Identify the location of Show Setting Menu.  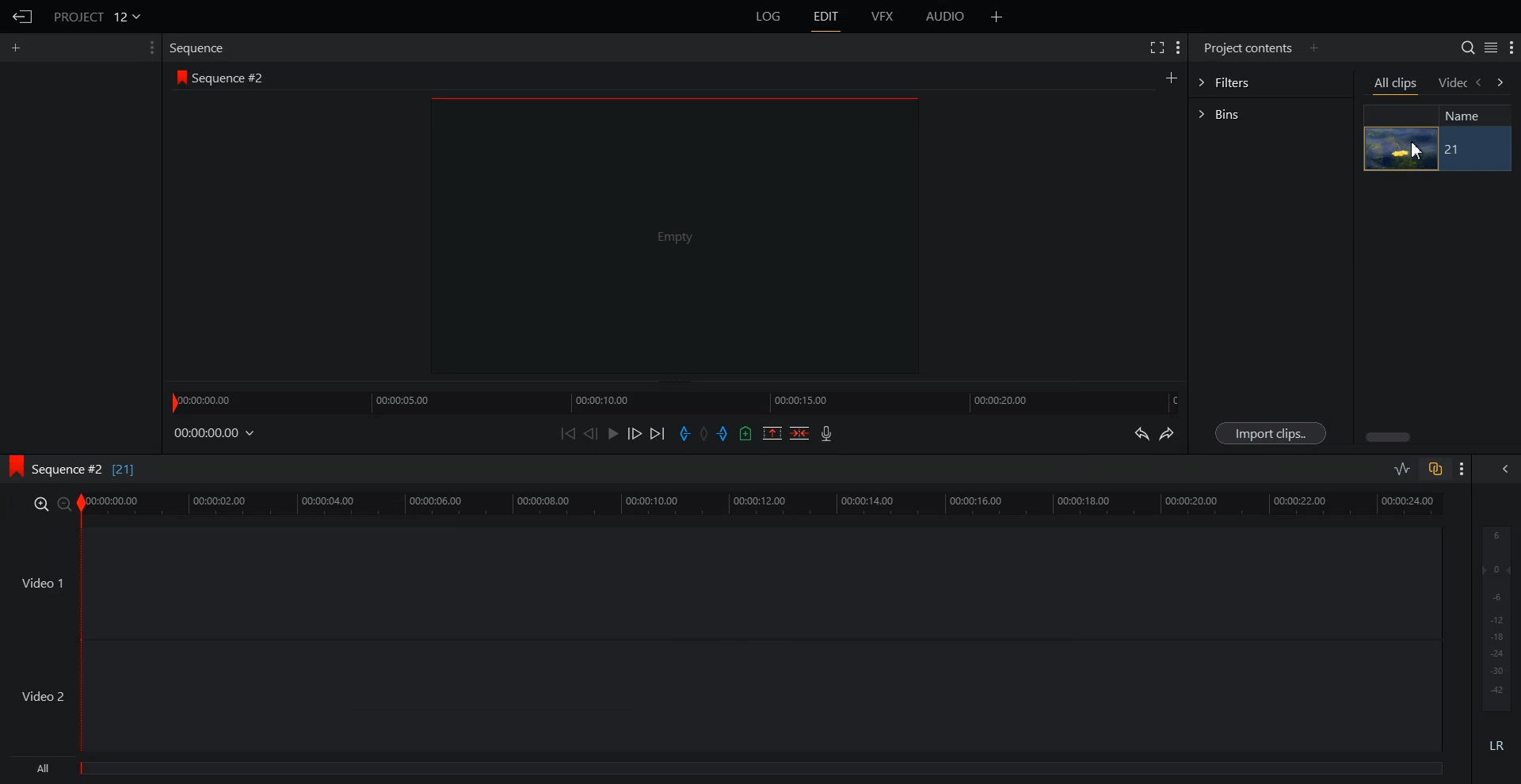
(1179, 48).